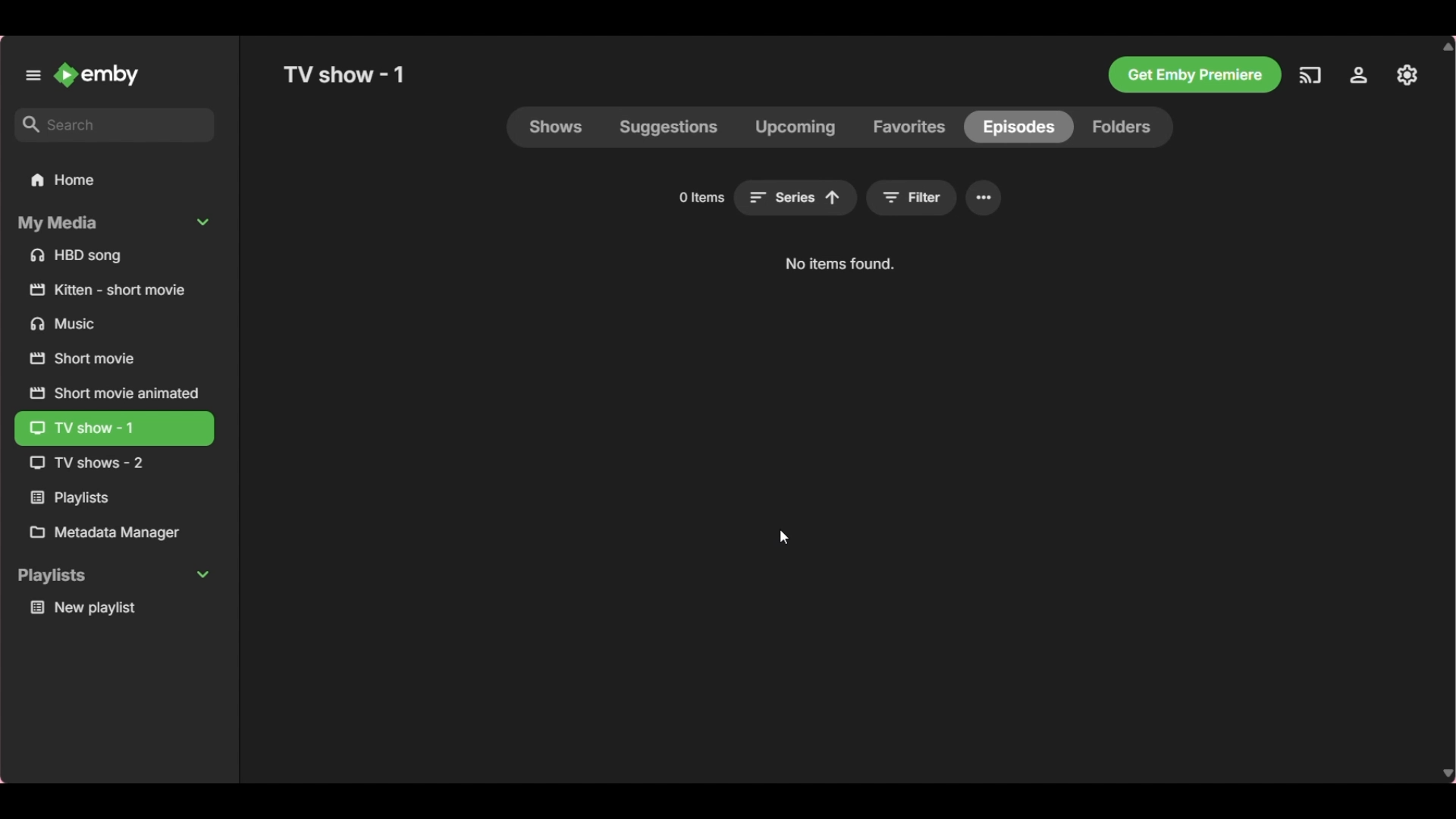  I want to click on Shows, current selection highlighted, so click(557, 127).